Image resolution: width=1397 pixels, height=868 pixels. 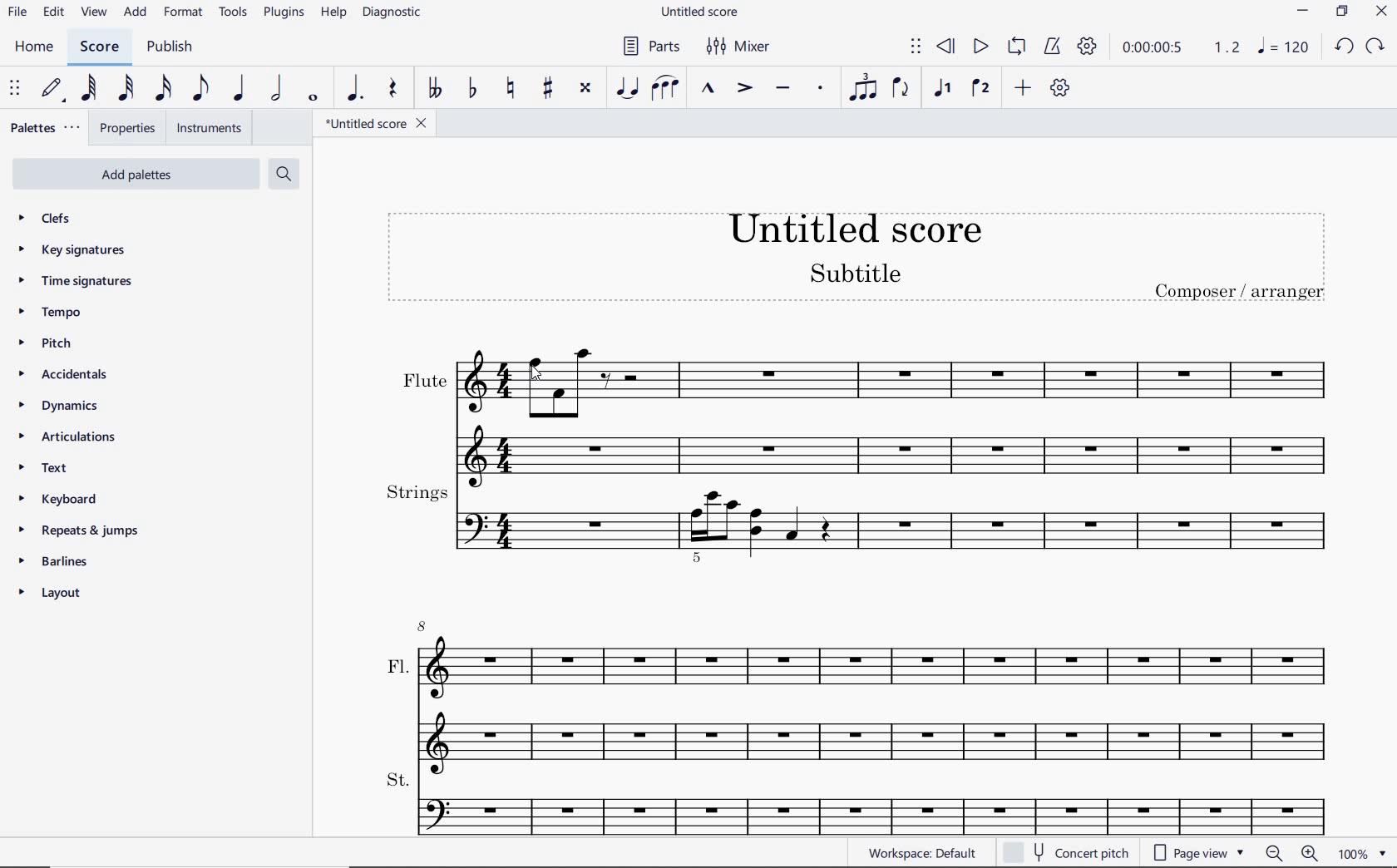 I want to click on ADD, so click(x=1024, y=88).